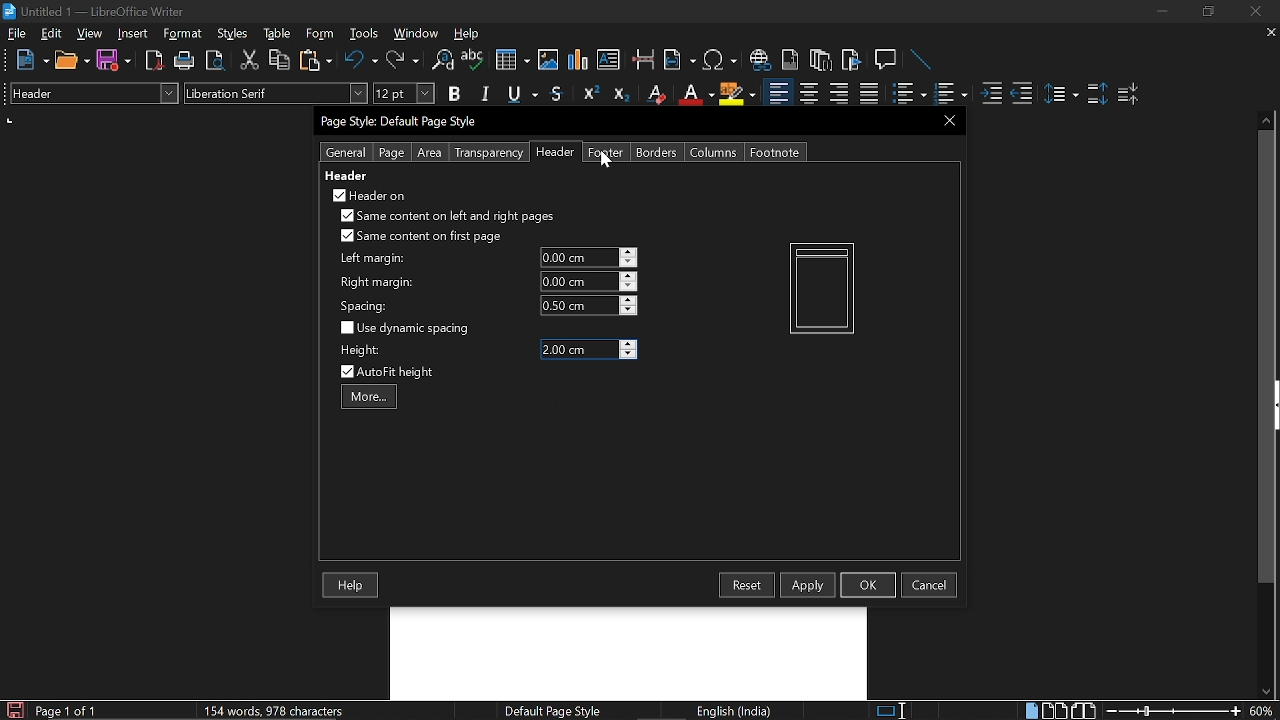 The width and height of the screenshot is (1280, 720). I want to click on current page Current page, so click(65, 710).